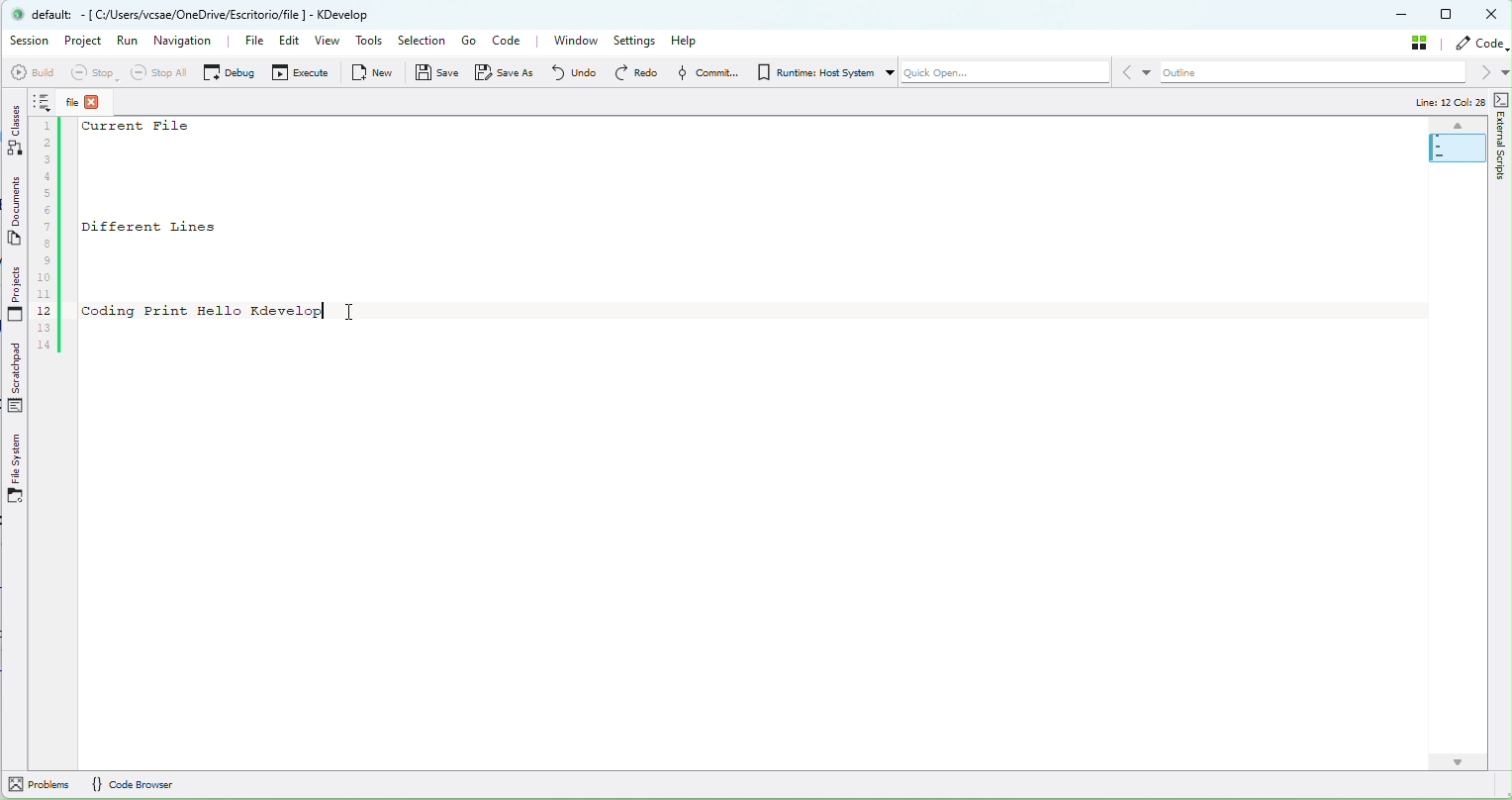  Describe the element at coordinates (91, 102) in the screenshot. I see `File close` at that location.